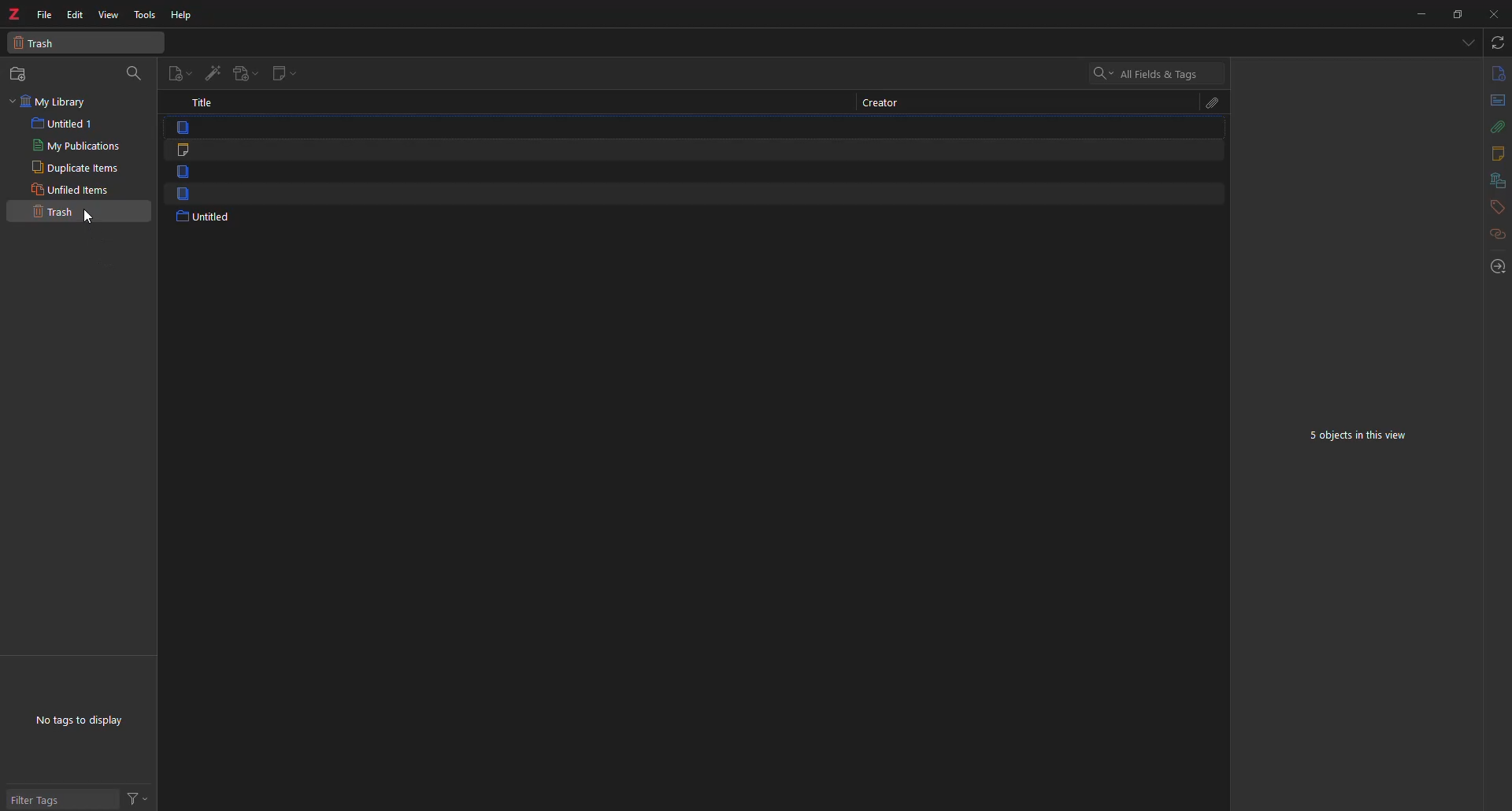  What do you see at coordinates (183, 172) in the screenshot?
I see `item` at bounding box center [183, 172].